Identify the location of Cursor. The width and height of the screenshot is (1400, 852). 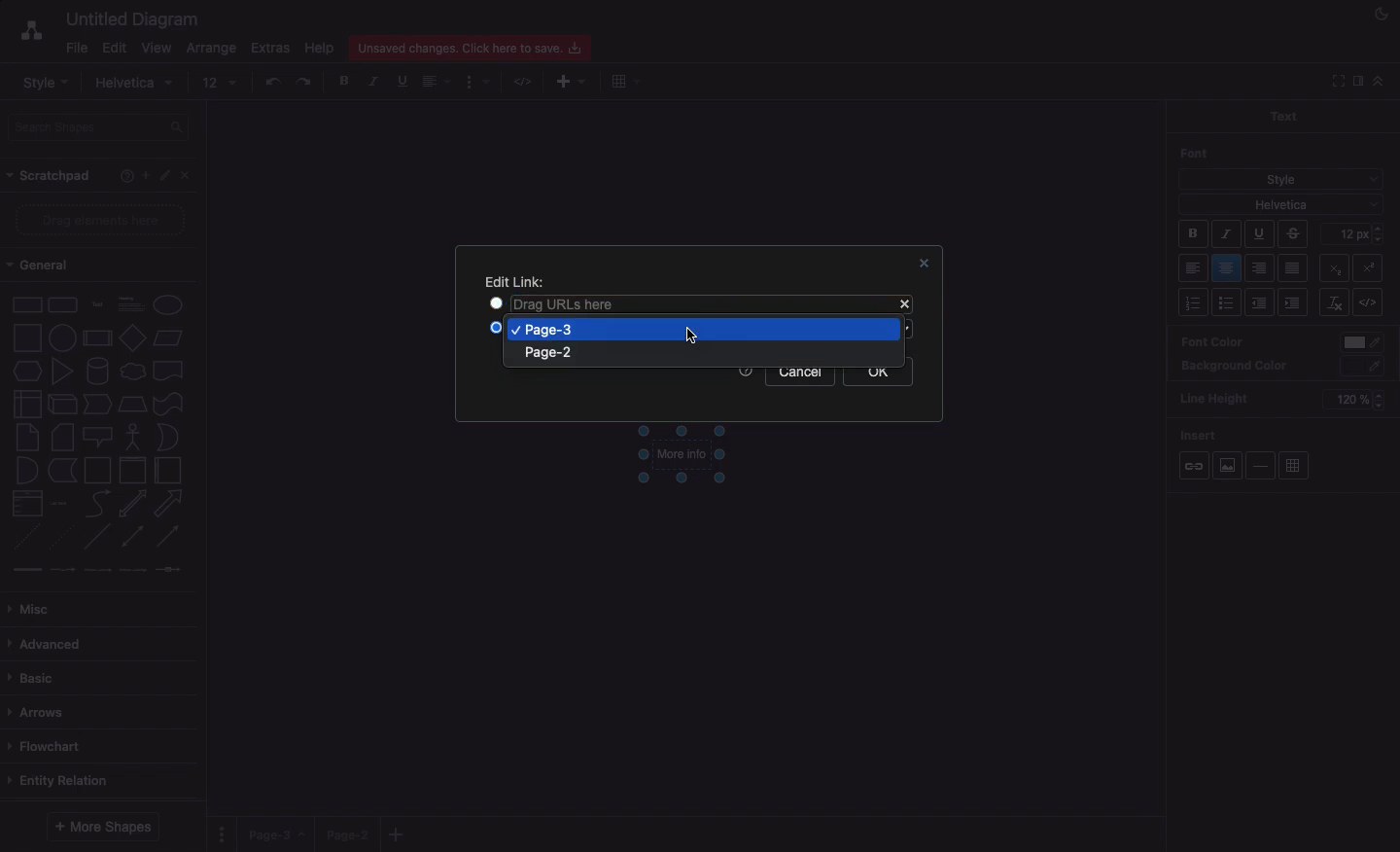
(687, 332).